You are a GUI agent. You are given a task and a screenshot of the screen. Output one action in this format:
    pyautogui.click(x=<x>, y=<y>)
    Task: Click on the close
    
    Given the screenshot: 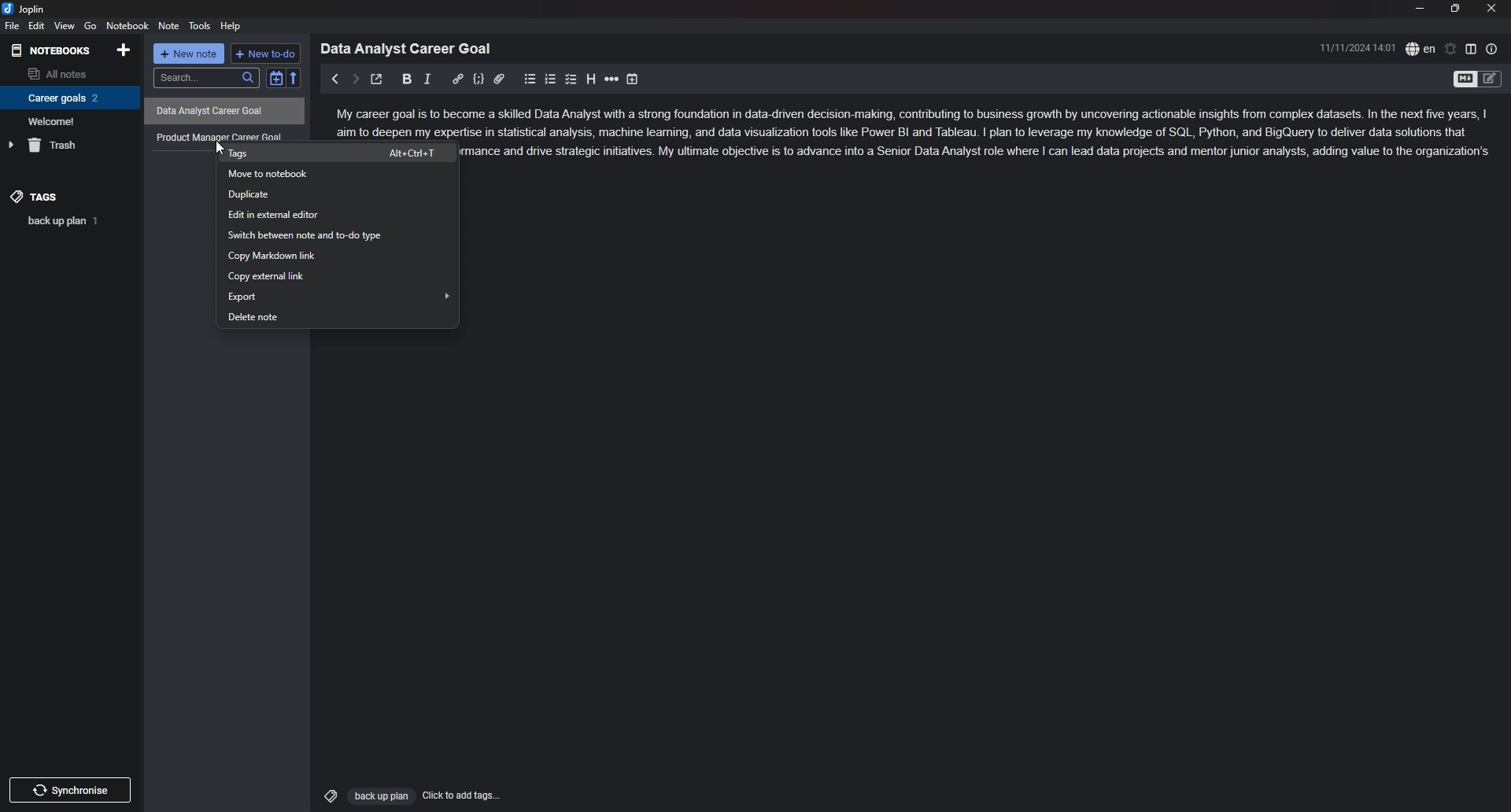 What is the action you would take?
    pyautogui.click(x=1491, y=8)
    